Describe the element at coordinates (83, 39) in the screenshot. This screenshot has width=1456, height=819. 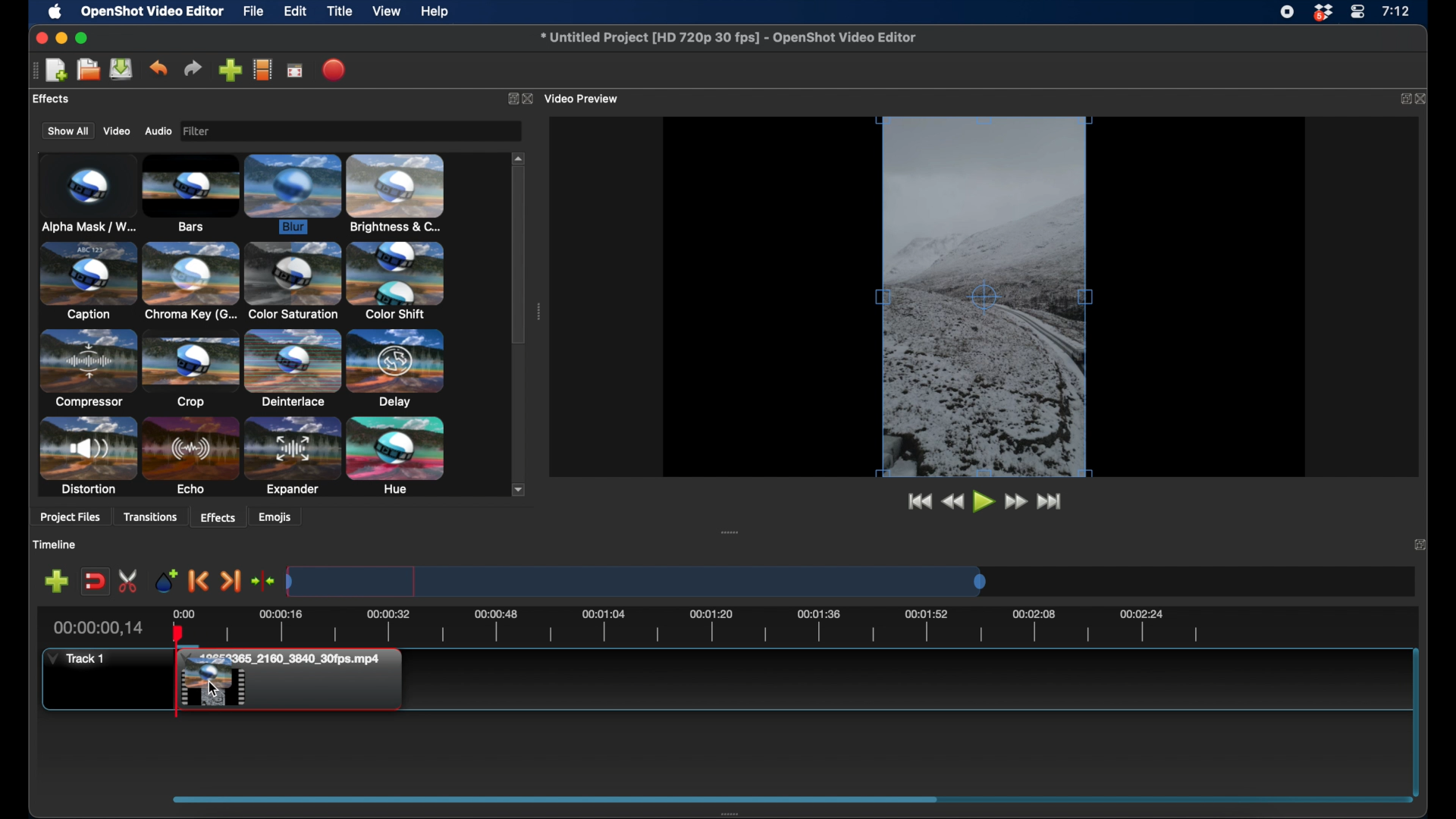
I see `maximize` at that location.